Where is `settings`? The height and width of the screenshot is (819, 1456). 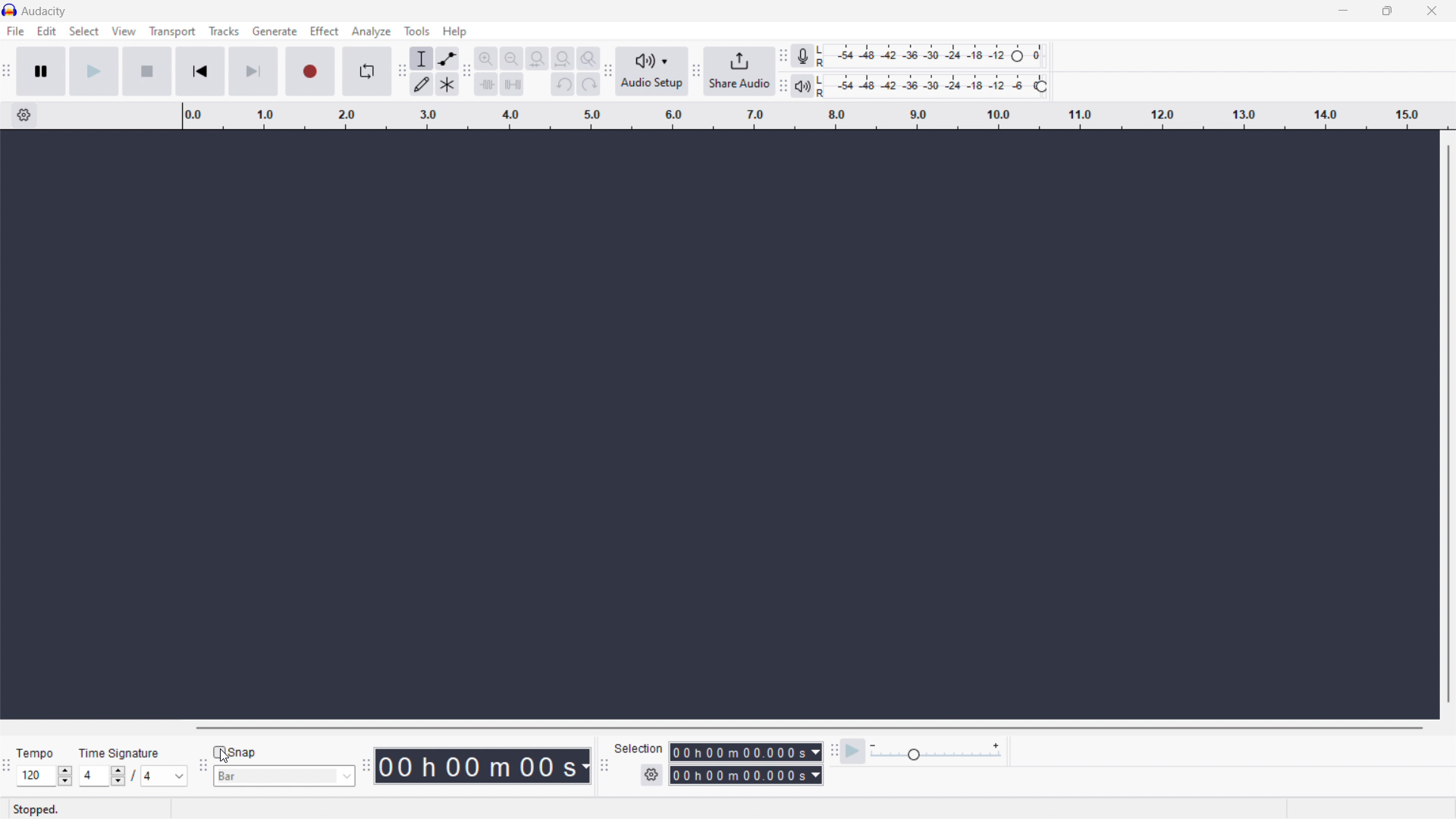
settings is located at coordinates (651, 774).